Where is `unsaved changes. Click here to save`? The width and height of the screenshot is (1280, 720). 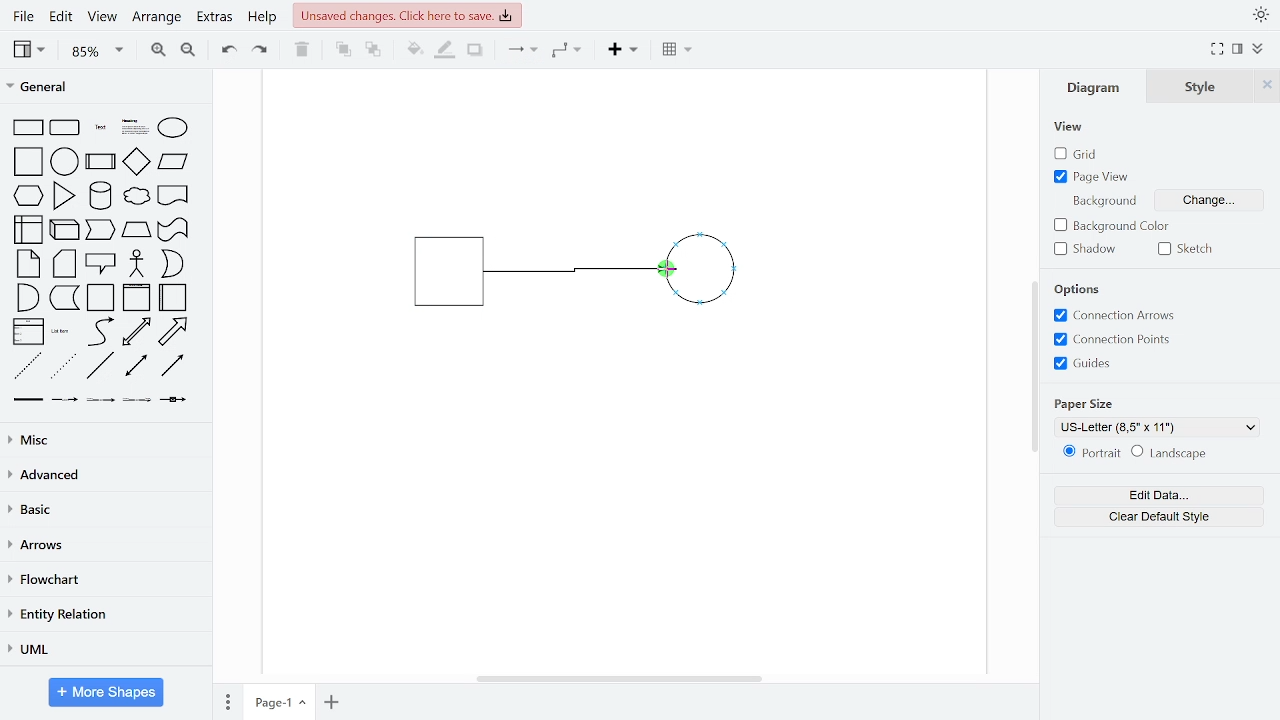
unsaved changes. Click here to save is located at coordinates (408, 14).